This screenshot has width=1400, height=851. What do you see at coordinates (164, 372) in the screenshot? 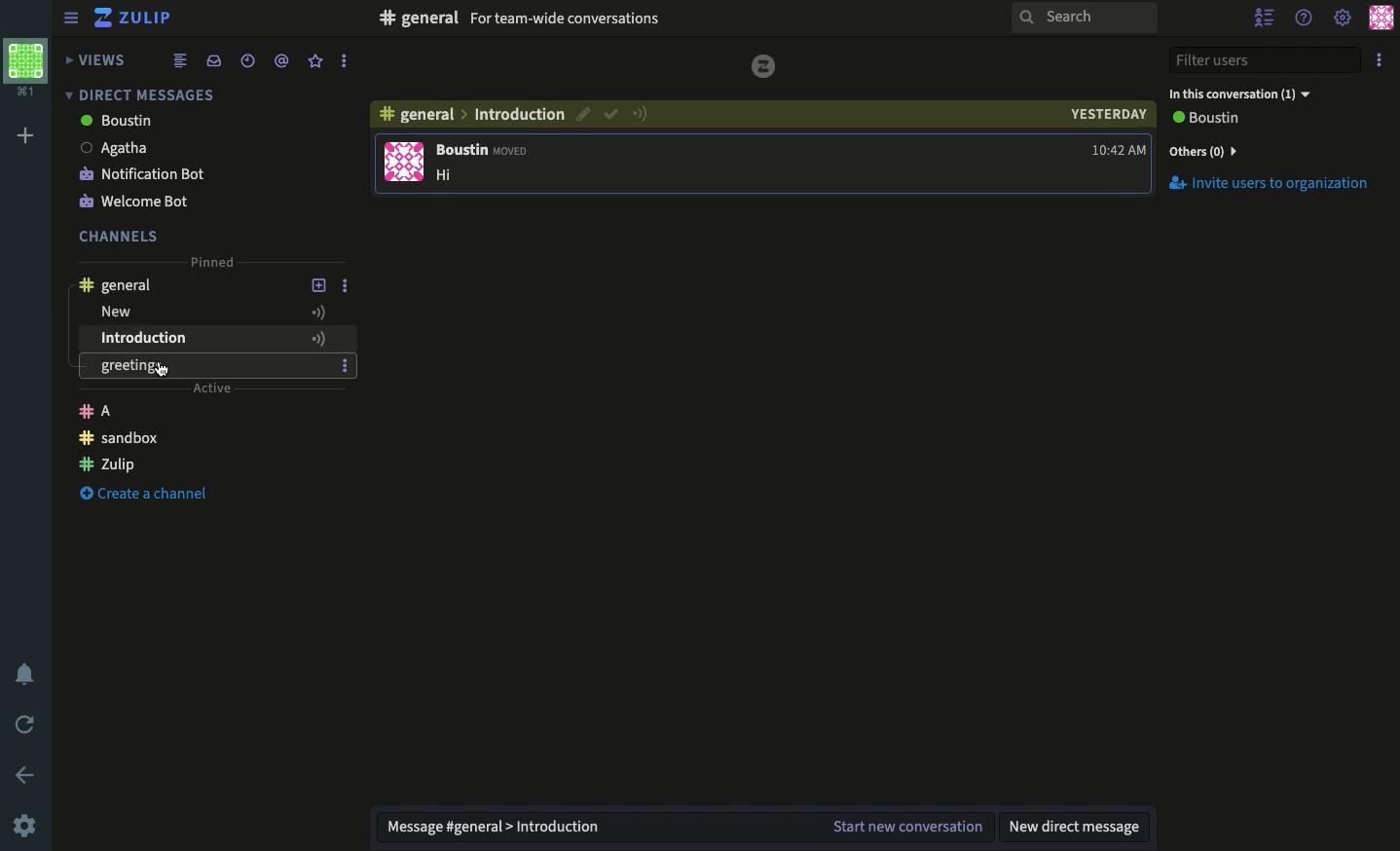
I see `Cursor` at bounding box center [164, 372].